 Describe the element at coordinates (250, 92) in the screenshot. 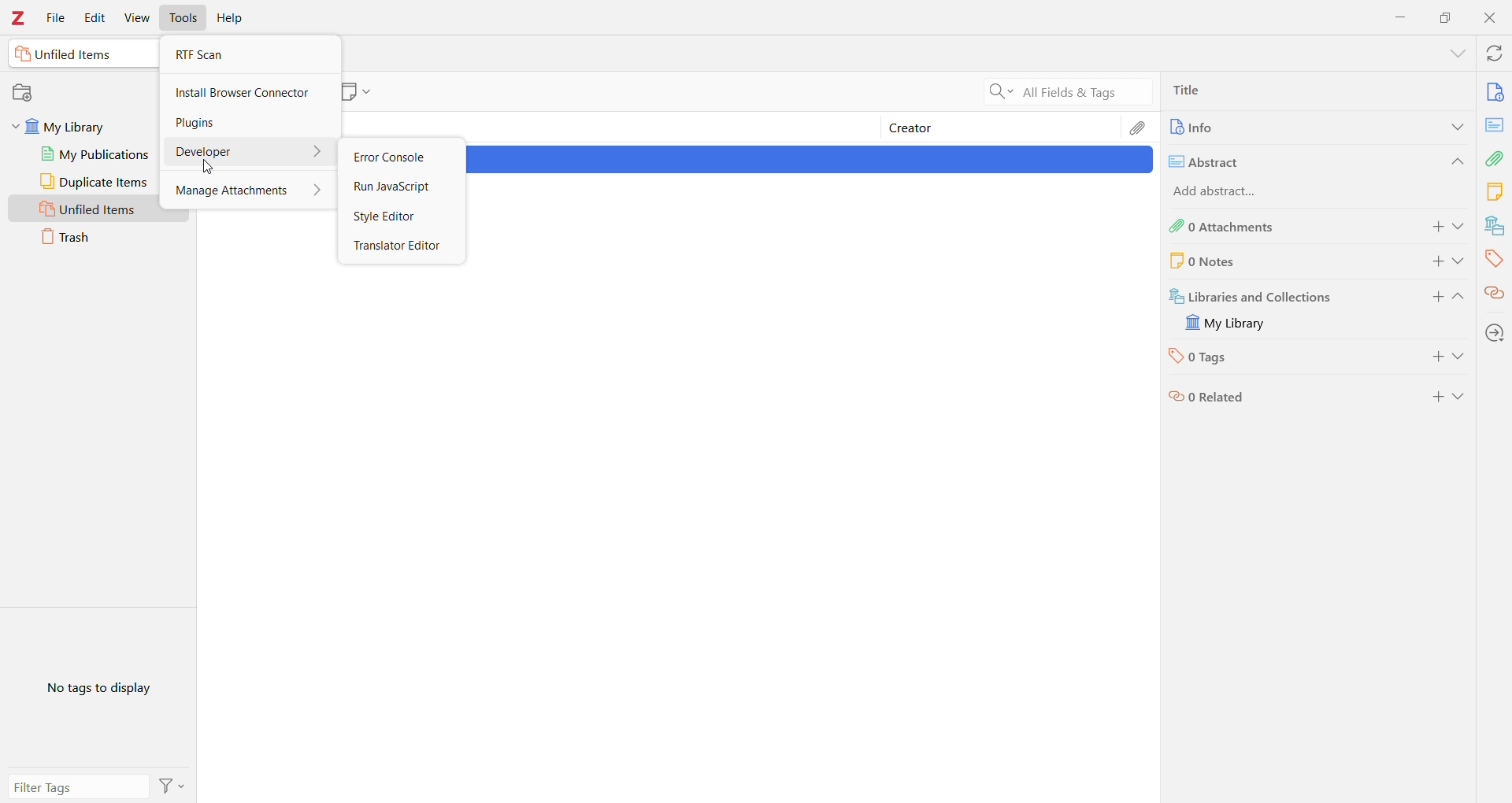

I see `Install Browser Connector` at that location.